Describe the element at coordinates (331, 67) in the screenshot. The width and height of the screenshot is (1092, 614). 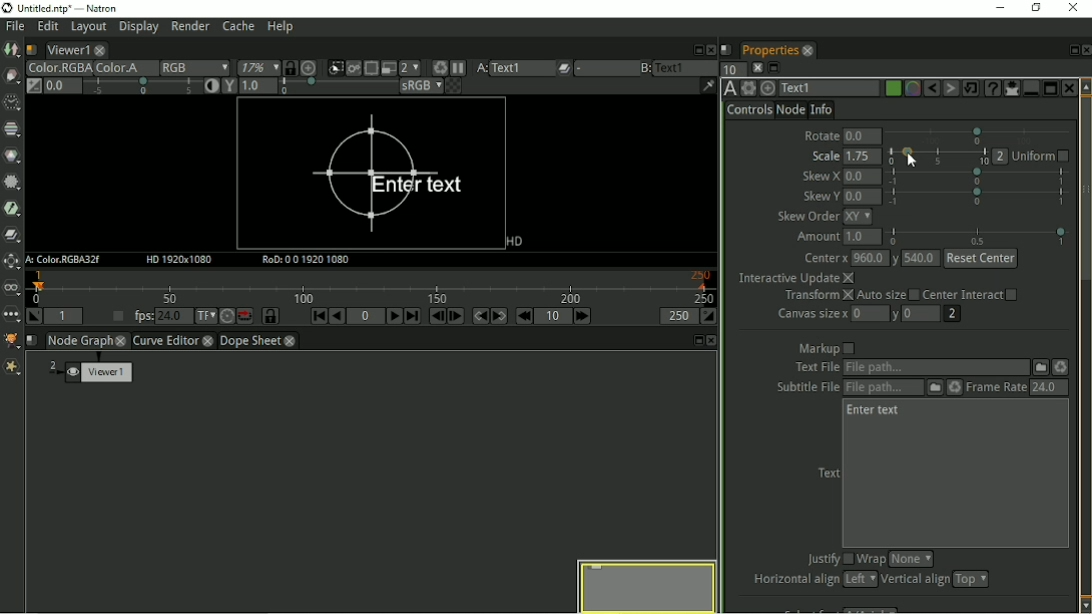
I see `Clips the portion of image` at that location.